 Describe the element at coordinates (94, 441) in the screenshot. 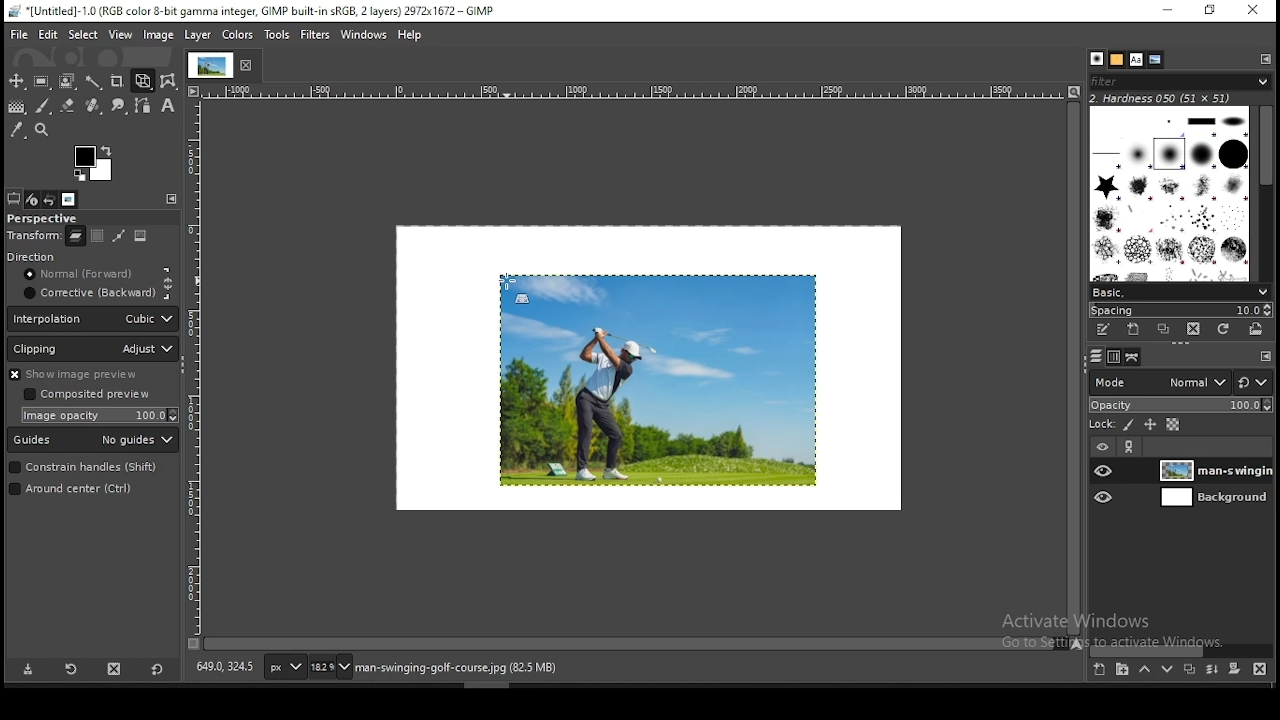

I see `guides` at that location.